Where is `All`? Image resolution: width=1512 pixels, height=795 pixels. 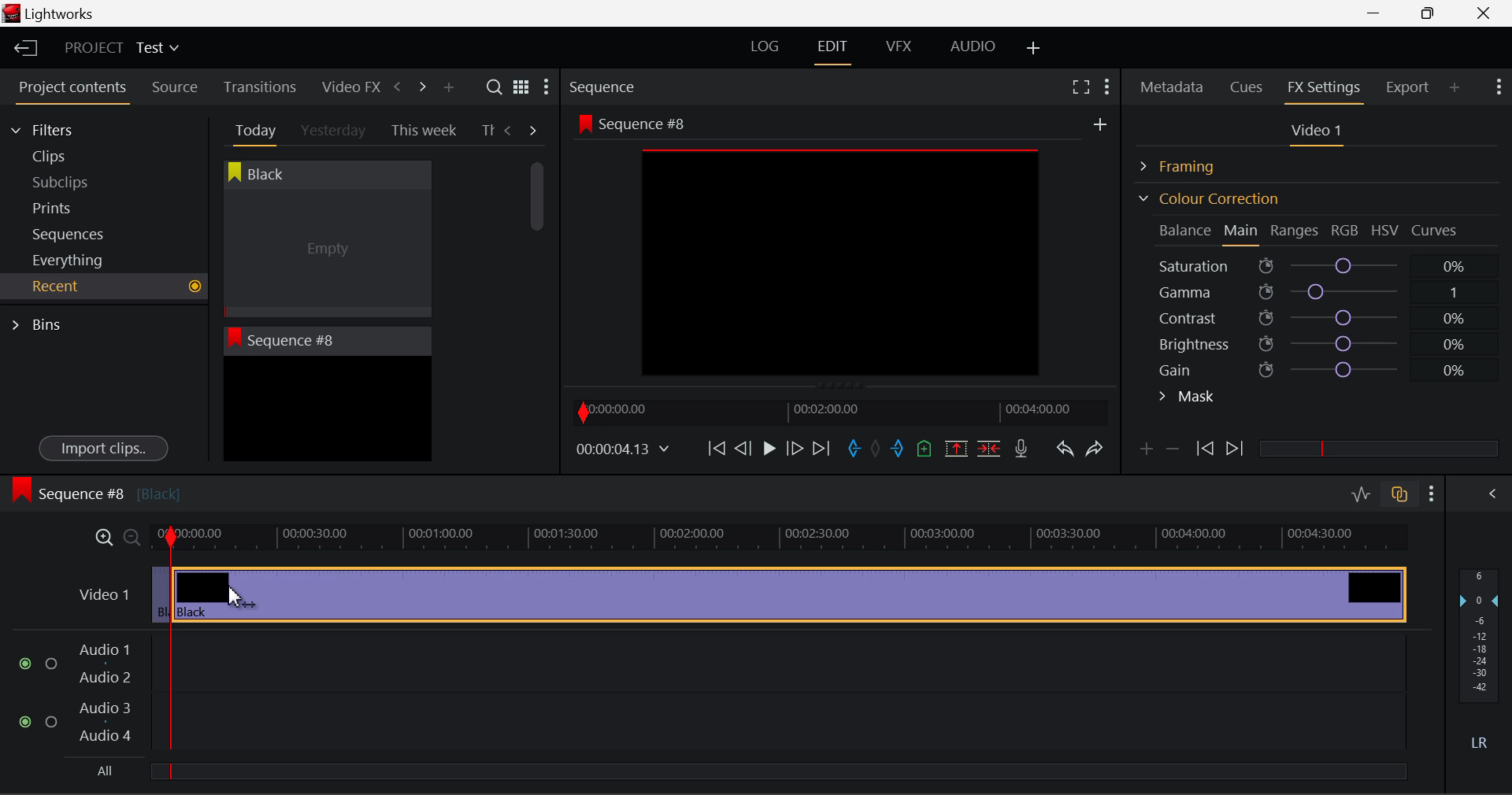 All is located at coordinates (104, 769).